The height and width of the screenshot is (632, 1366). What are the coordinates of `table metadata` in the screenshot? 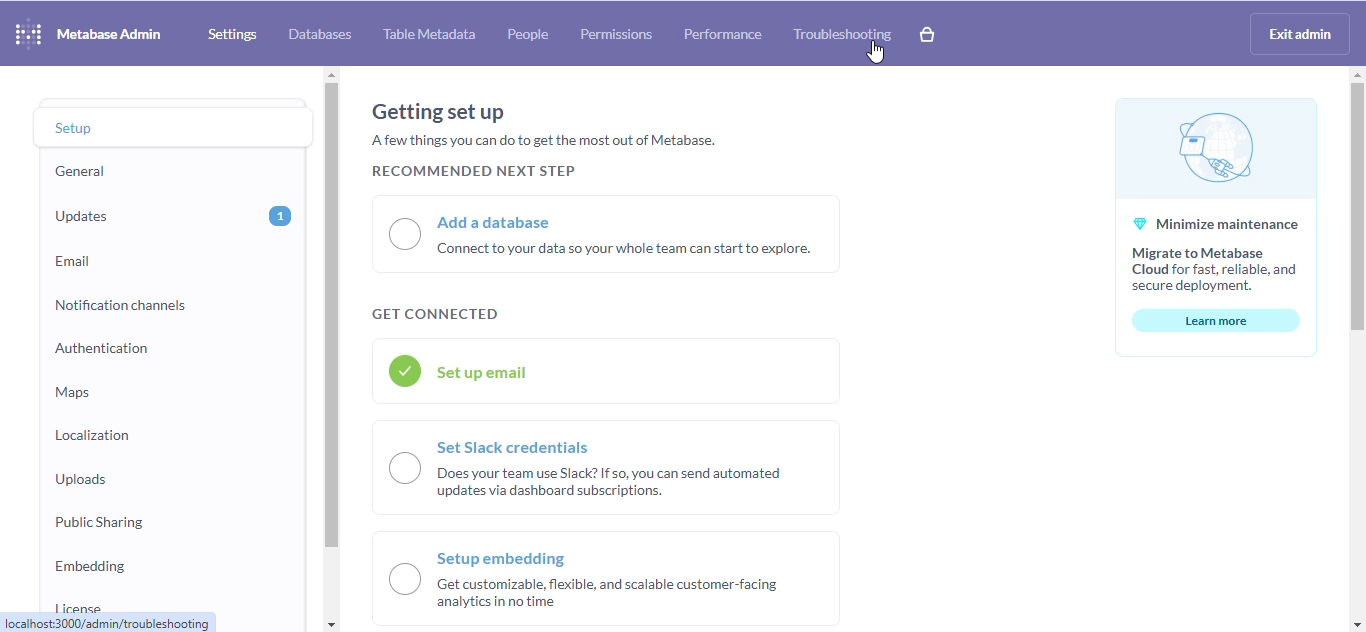 It's located at (429, 33).